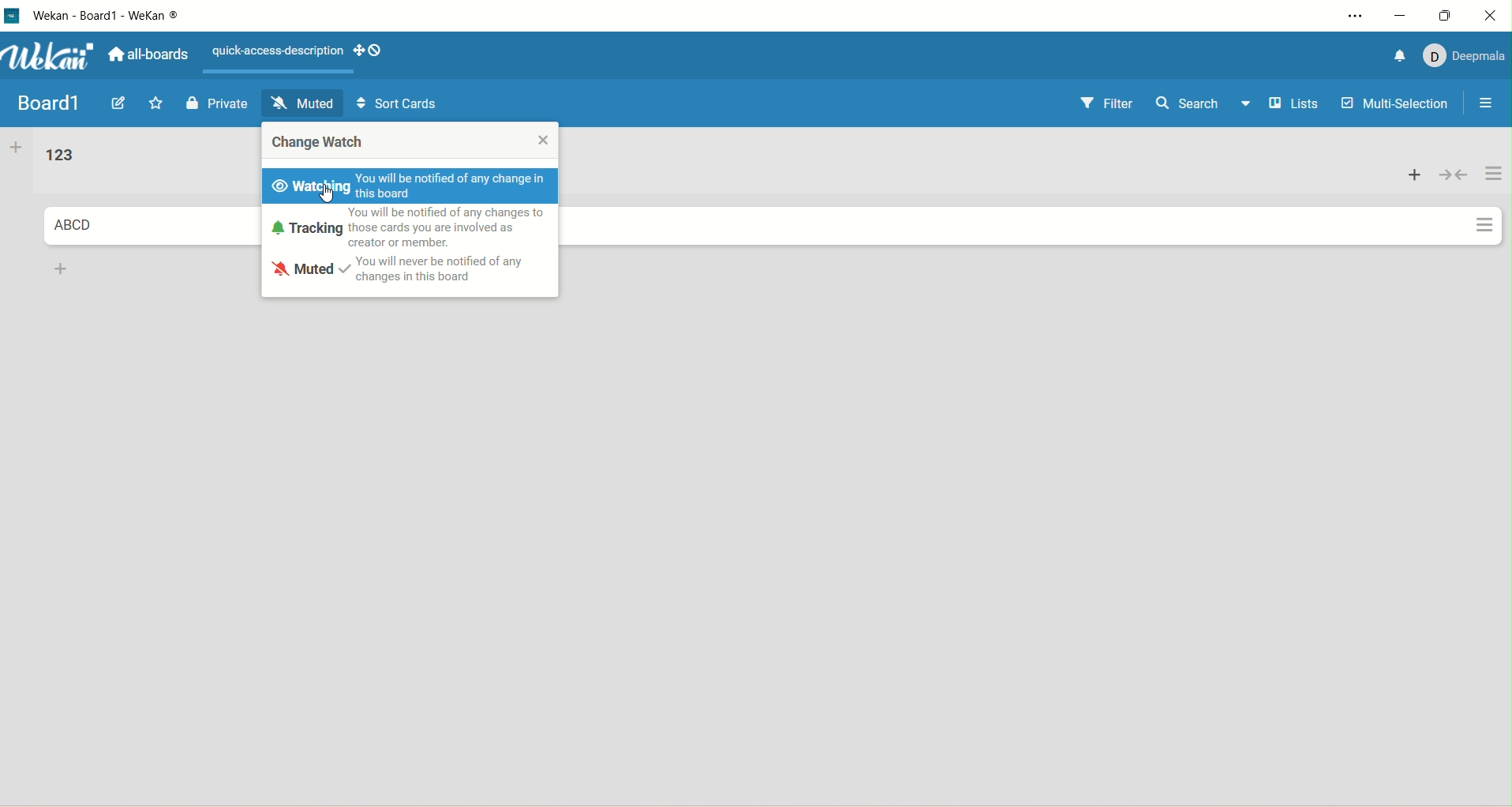 This screenshot has width=1512, height=807. What do you see at coordinates (161, 104) in the screenshot?
I see `favorite` at bounding box center [161, 104].